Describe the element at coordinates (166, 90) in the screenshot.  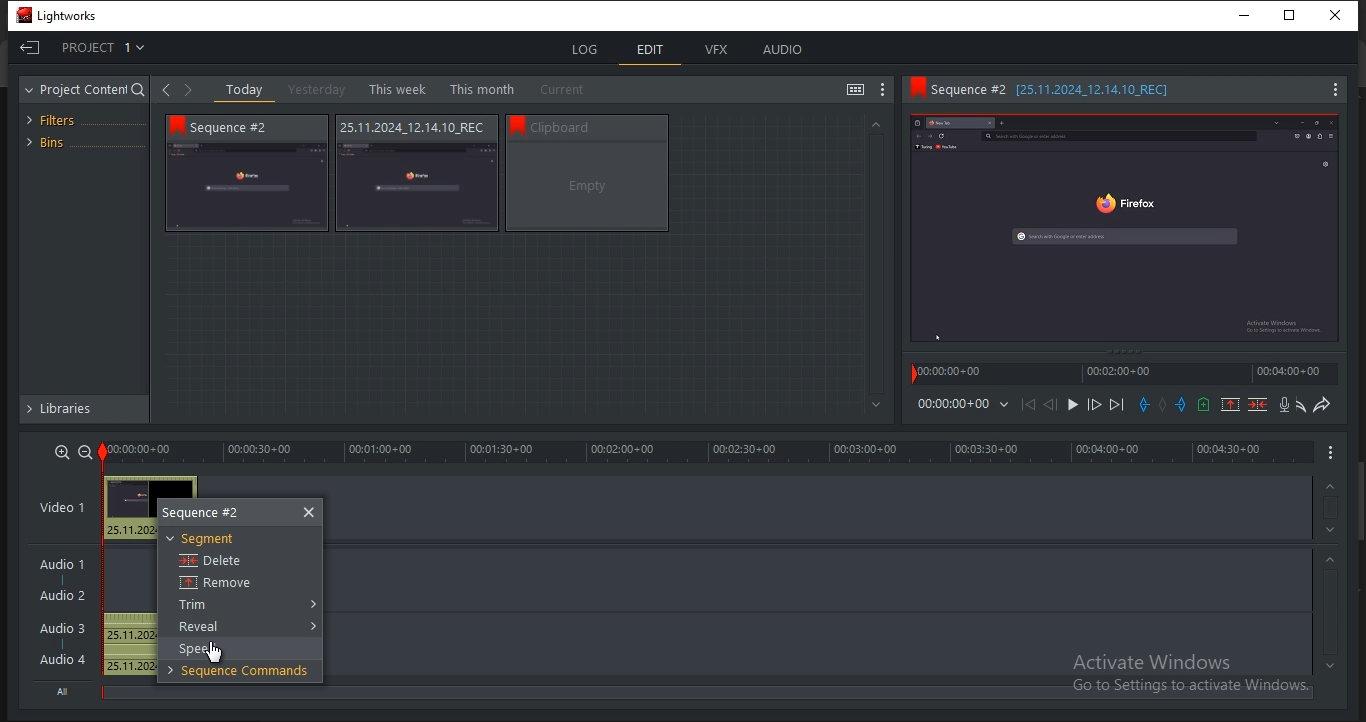
I see `Back` at that location.